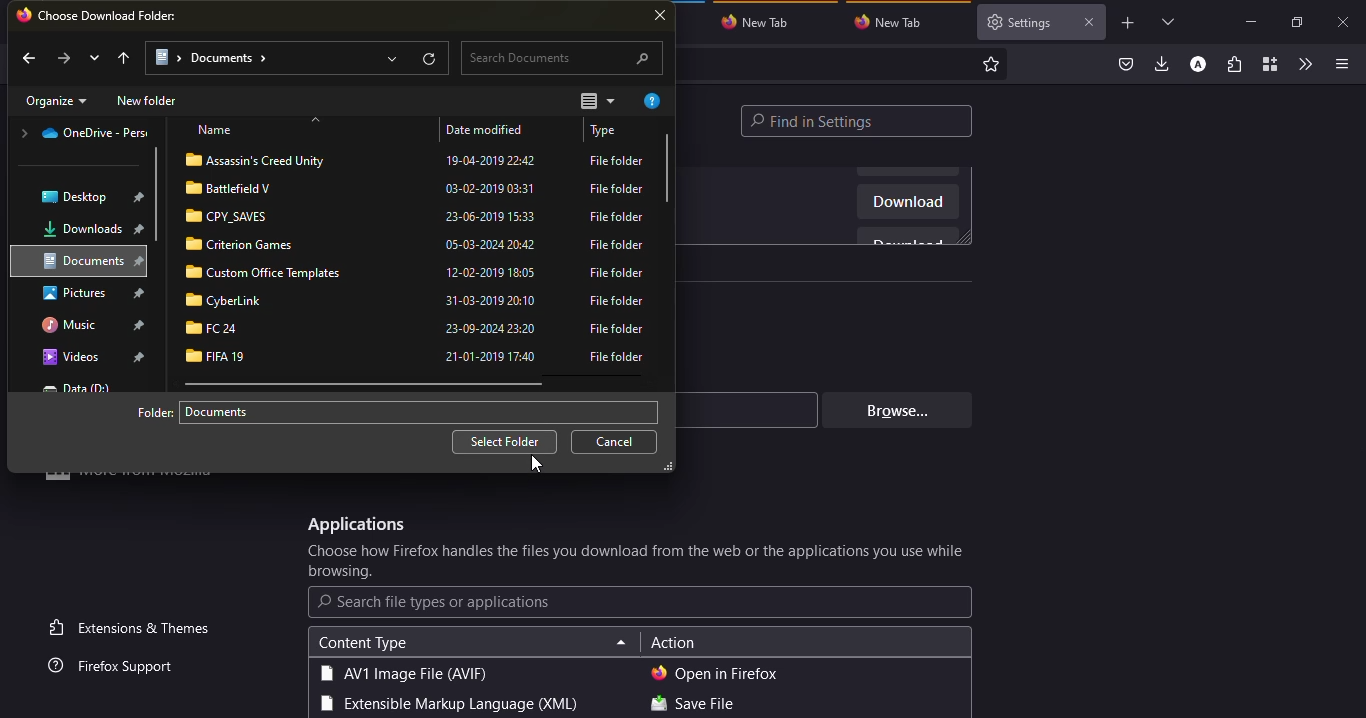  What do you see at coordinates (620, 303) in the screenshot?
I see `type` at bounding box center [620, 303].